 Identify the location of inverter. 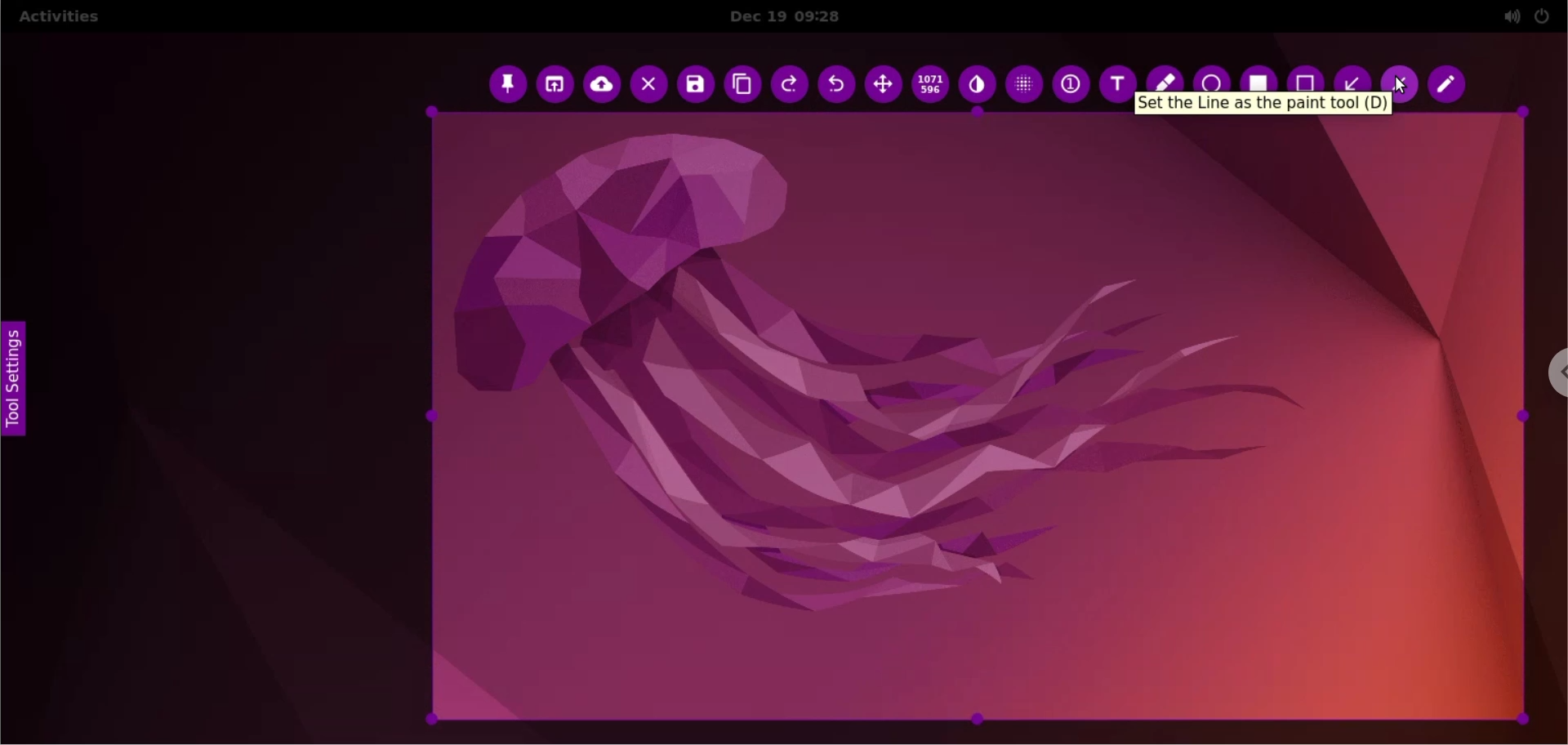
(976, 85).